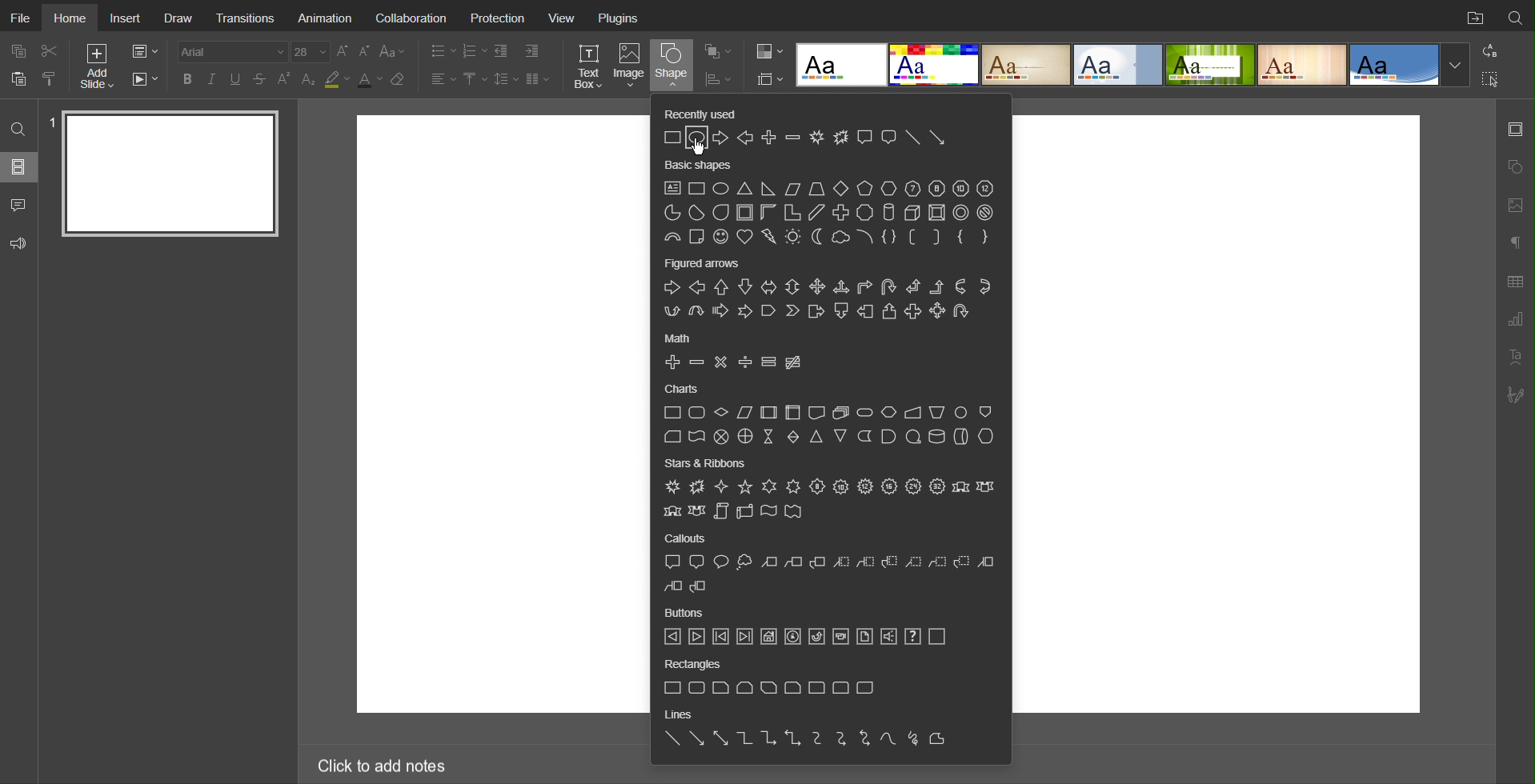  Describe the element at coordinates (810, 628) in the screenshot. I see `Buttons` at that location.